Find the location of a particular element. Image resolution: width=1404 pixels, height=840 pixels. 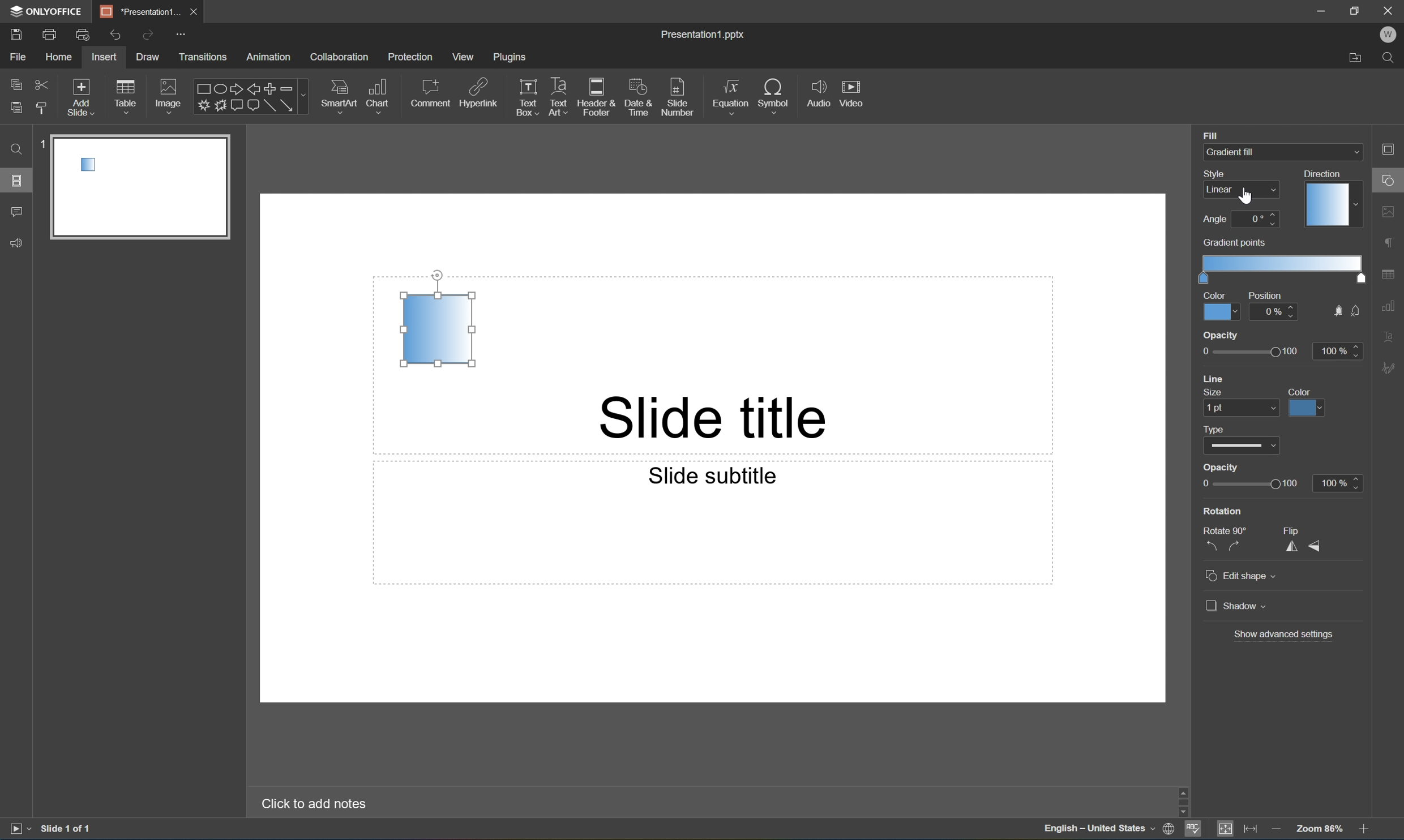

Table is located at coordinates (126, 96).